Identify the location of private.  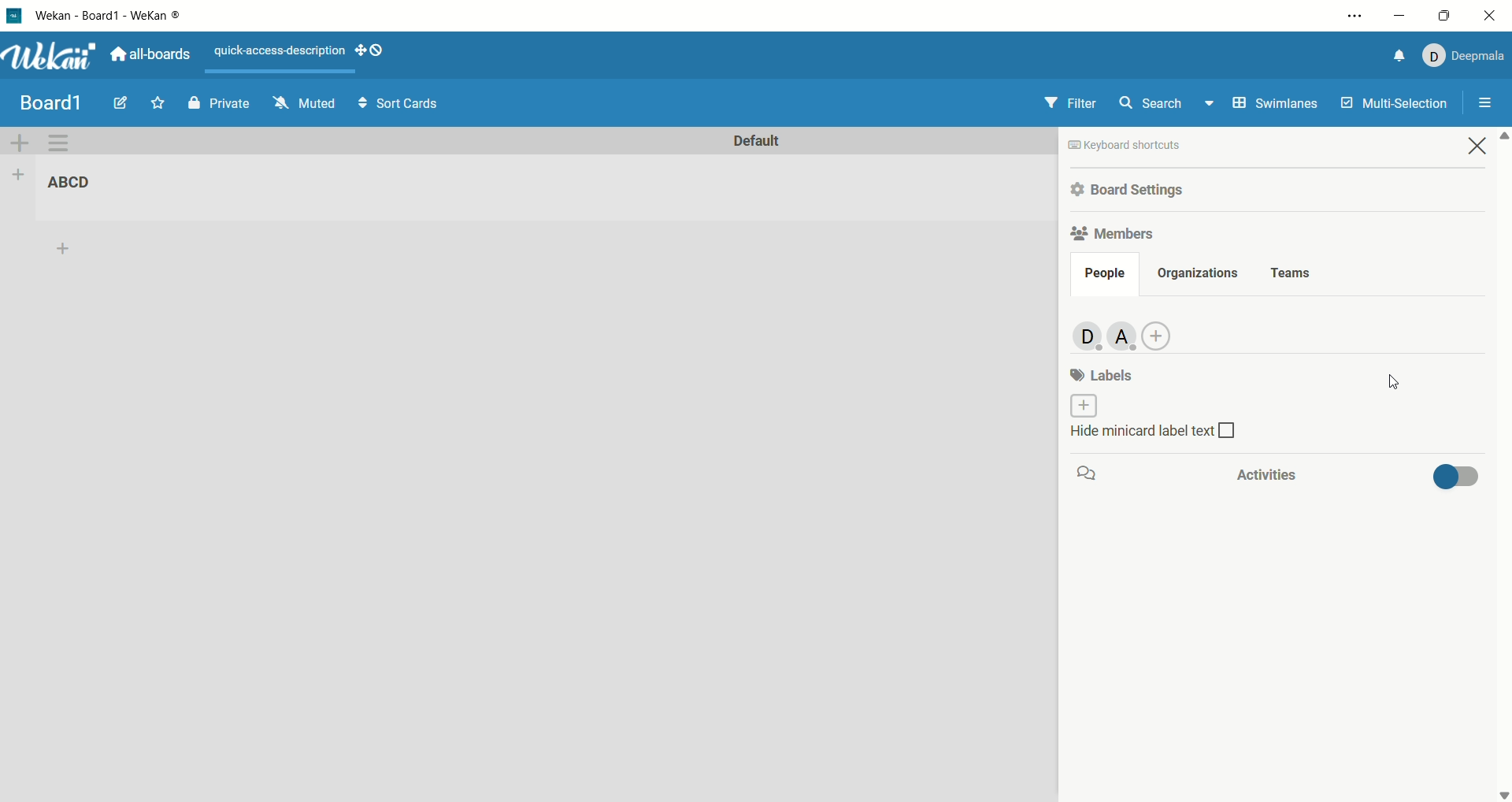
(221, 104).